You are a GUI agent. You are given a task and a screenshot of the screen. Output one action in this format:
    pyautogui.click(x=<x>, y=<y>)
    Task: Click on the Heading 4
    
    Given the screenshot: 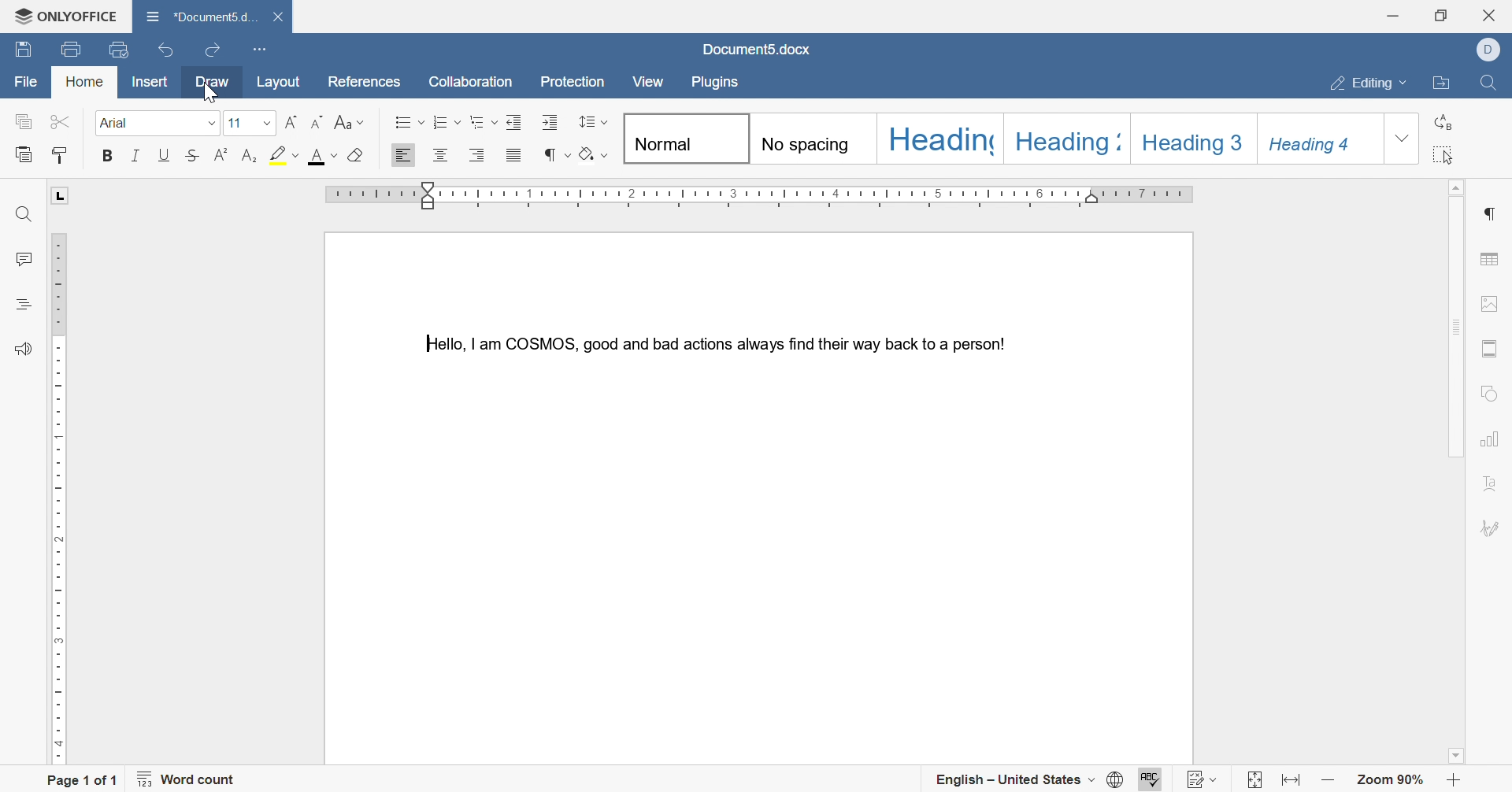 What is the action you would take?
    pyautogui.click(x=1309, y=140)
    